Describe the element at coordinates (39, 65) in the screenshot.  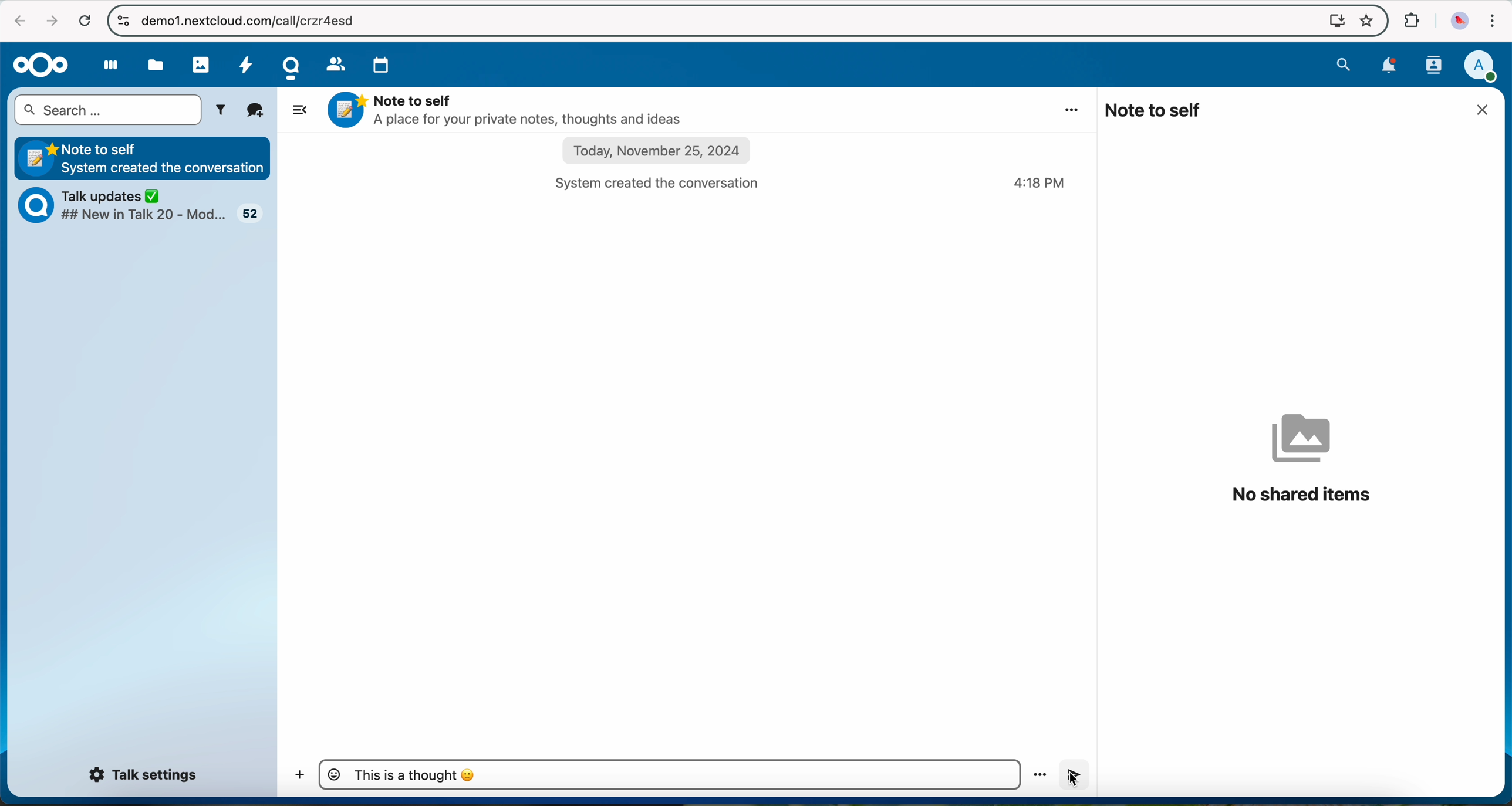
I see `Nextcloud logo` at that location.